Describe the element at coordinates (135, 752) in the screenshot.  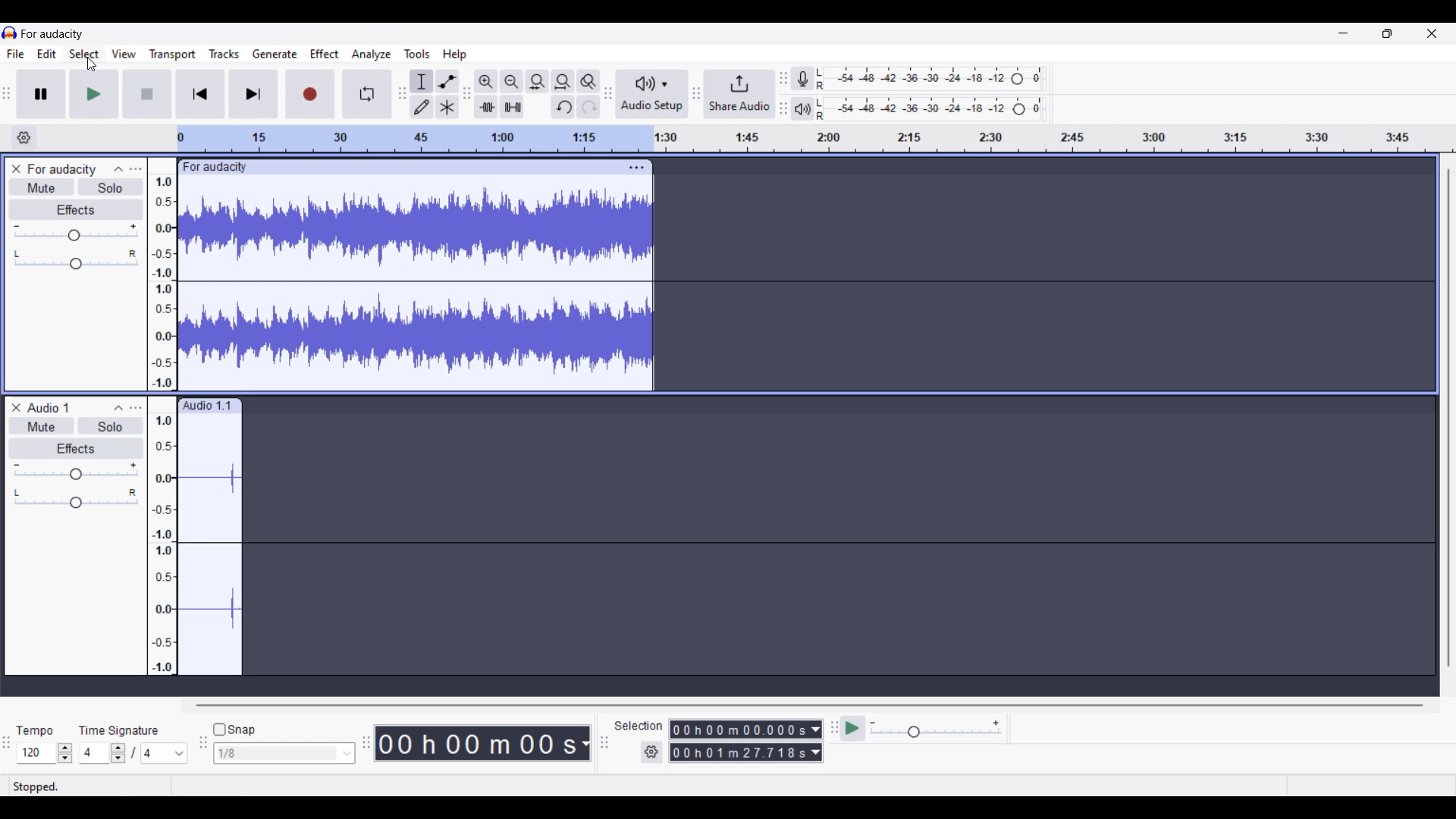
I see `Time signature settings` at that location.